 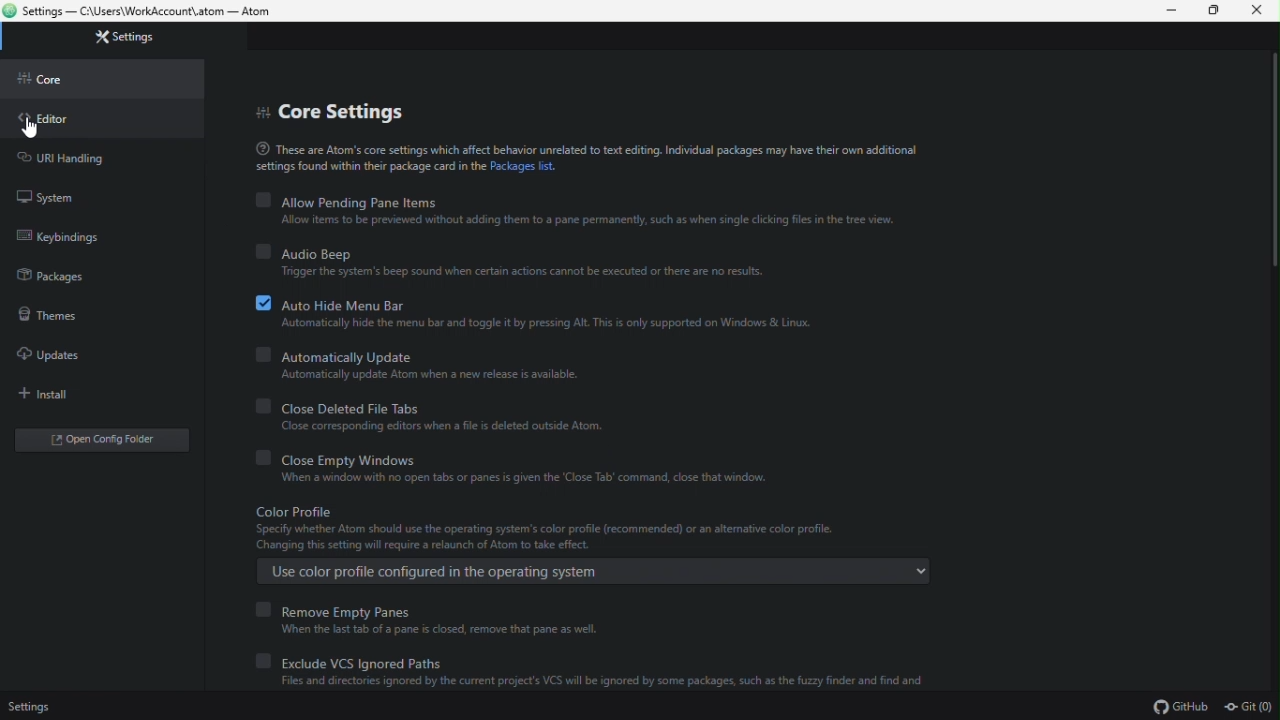 I want to click on Core setting, so click(x=334, y=114).